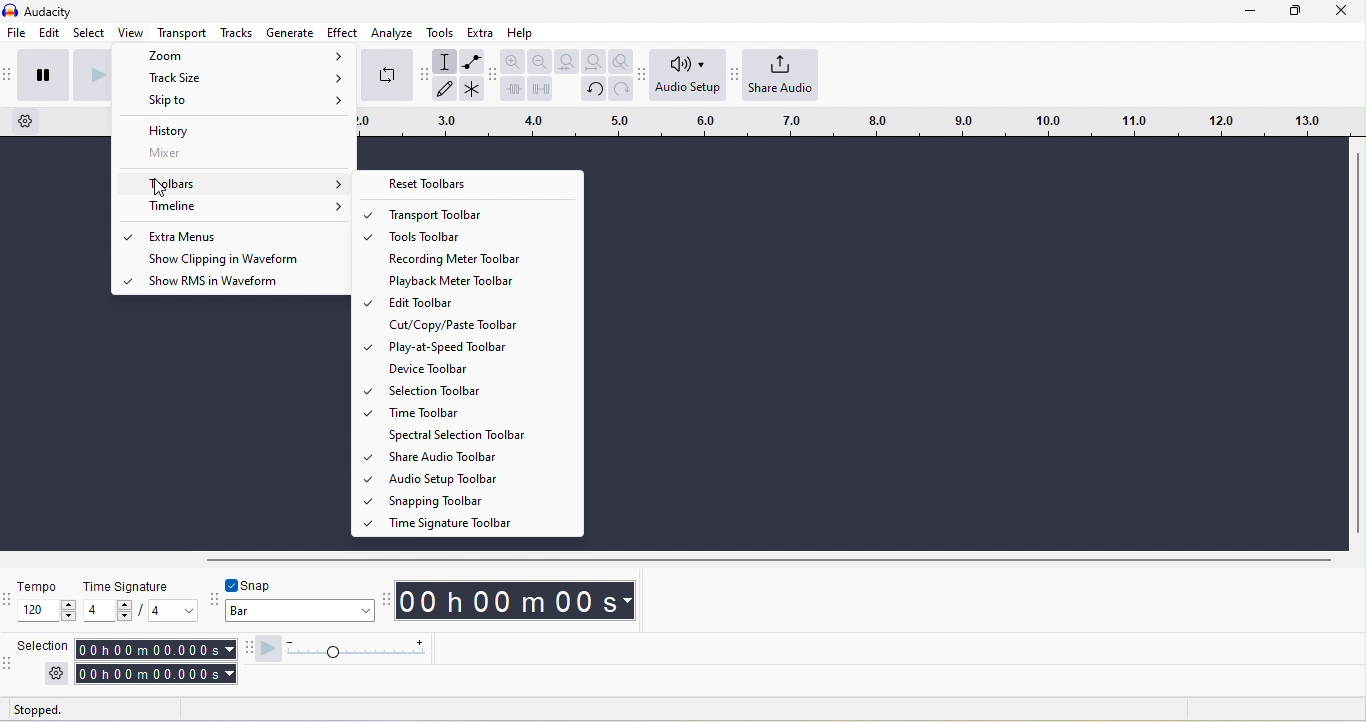 The width and height of the screenshot is (1366, 722). I want to click on selection settings, so click(57, 674).